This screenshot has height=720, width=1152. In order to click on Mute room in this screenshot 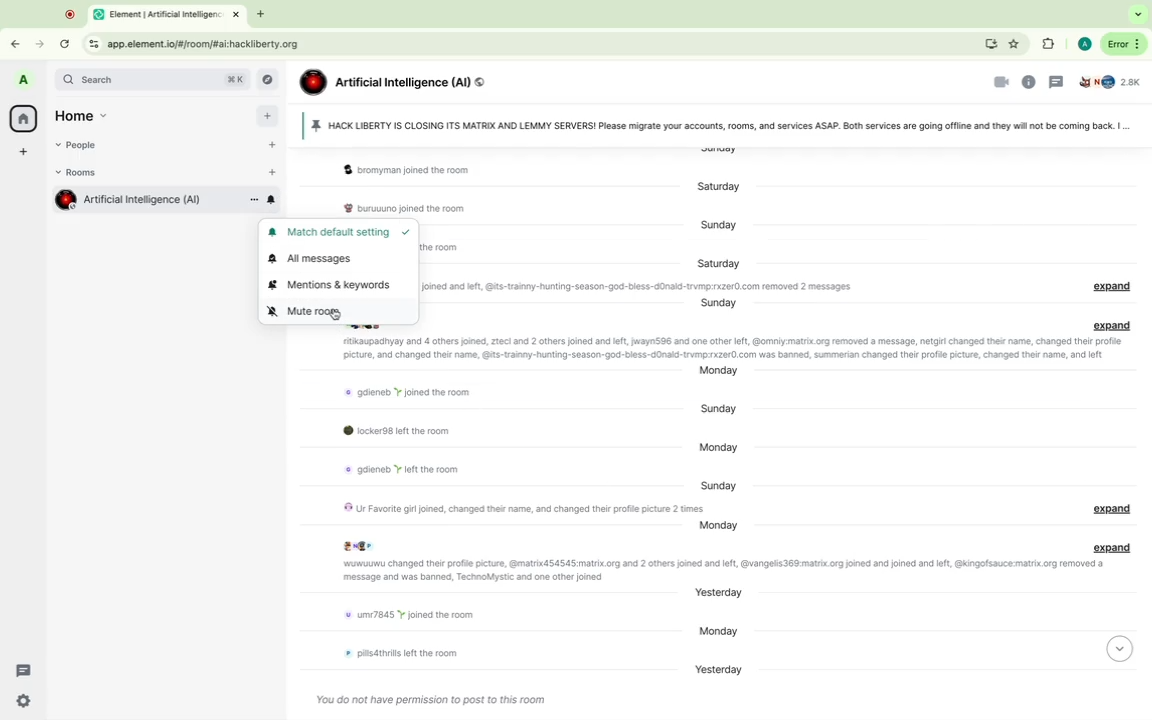, I will do `click(338, 311)`.